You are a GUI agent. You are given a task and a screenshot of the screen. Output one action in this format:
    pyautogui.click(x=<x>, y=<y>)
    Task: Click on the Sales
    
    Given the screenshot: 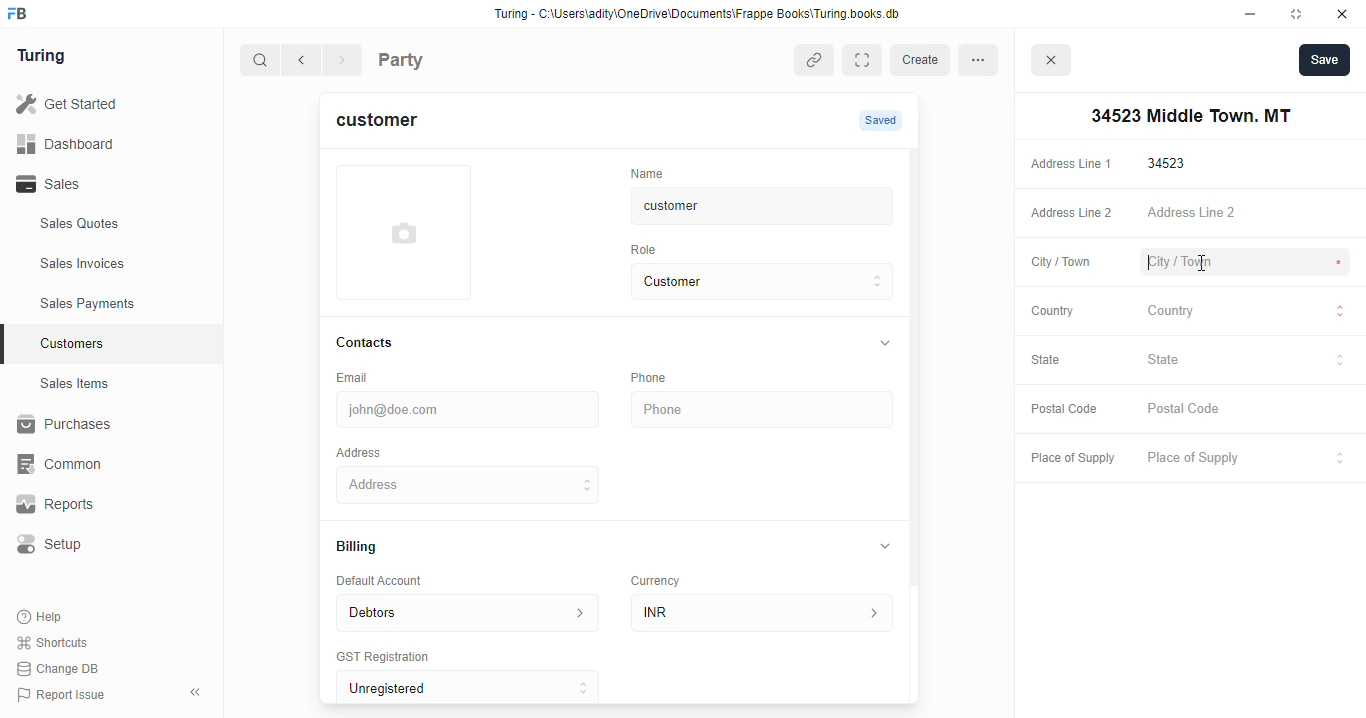 What is the action you would take?
    pyautogui.click(x=98, y=184)
    